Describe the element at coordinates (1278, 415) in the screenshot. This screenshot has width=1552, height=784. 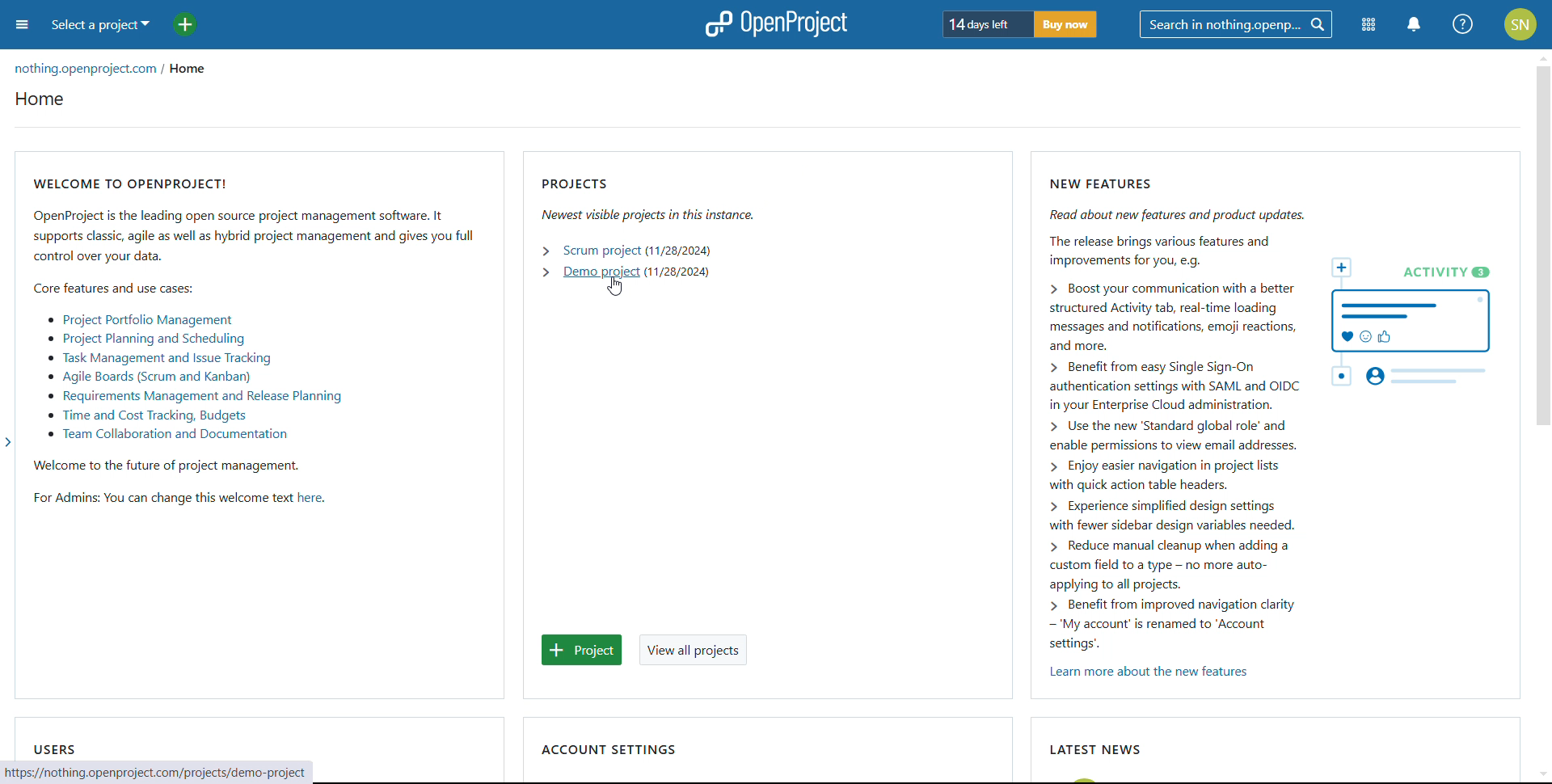
I see `new features` at that location.